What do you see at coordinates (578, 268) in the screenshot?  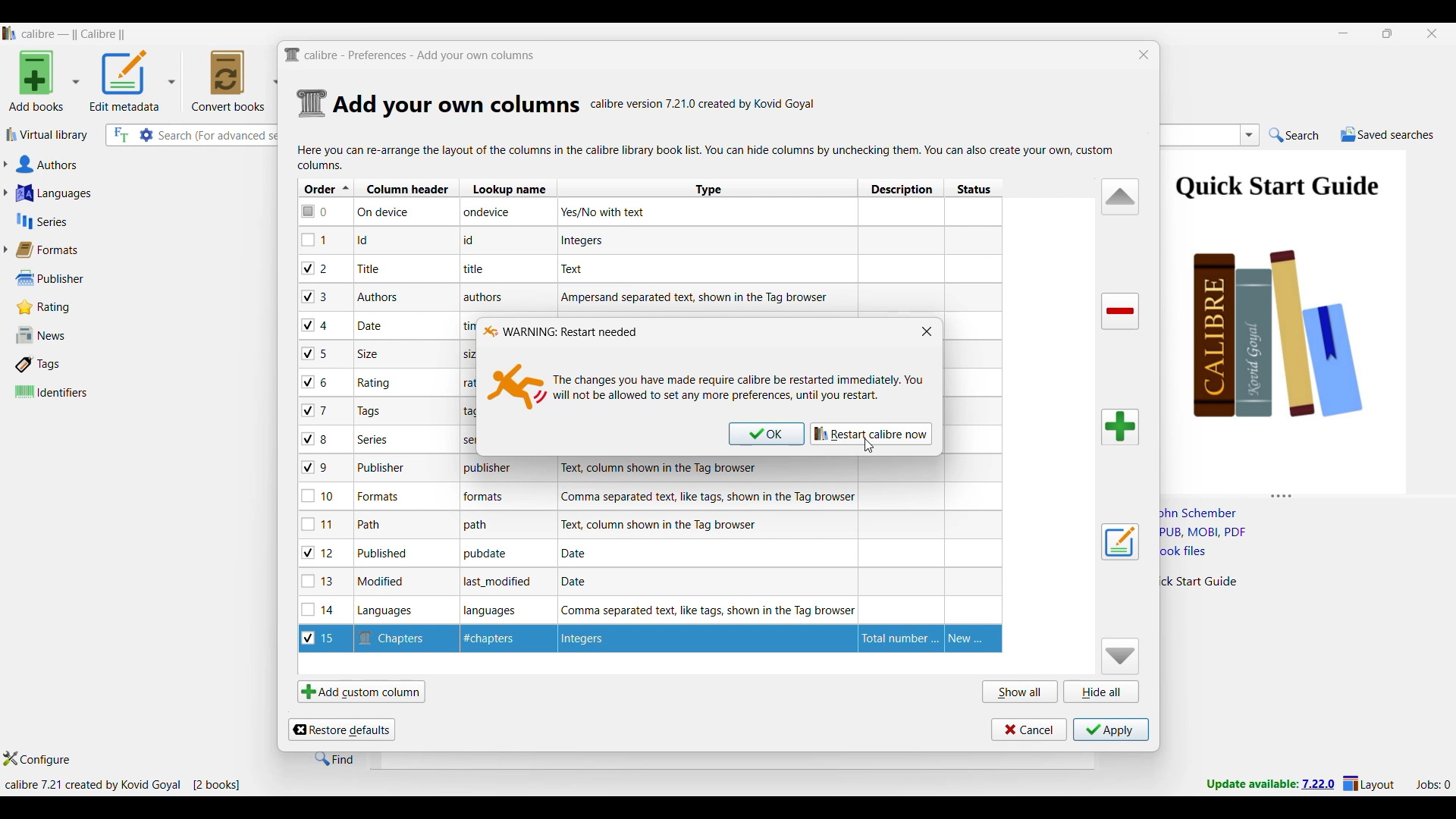 I see `Explanation` at bounding box center [578, 268].